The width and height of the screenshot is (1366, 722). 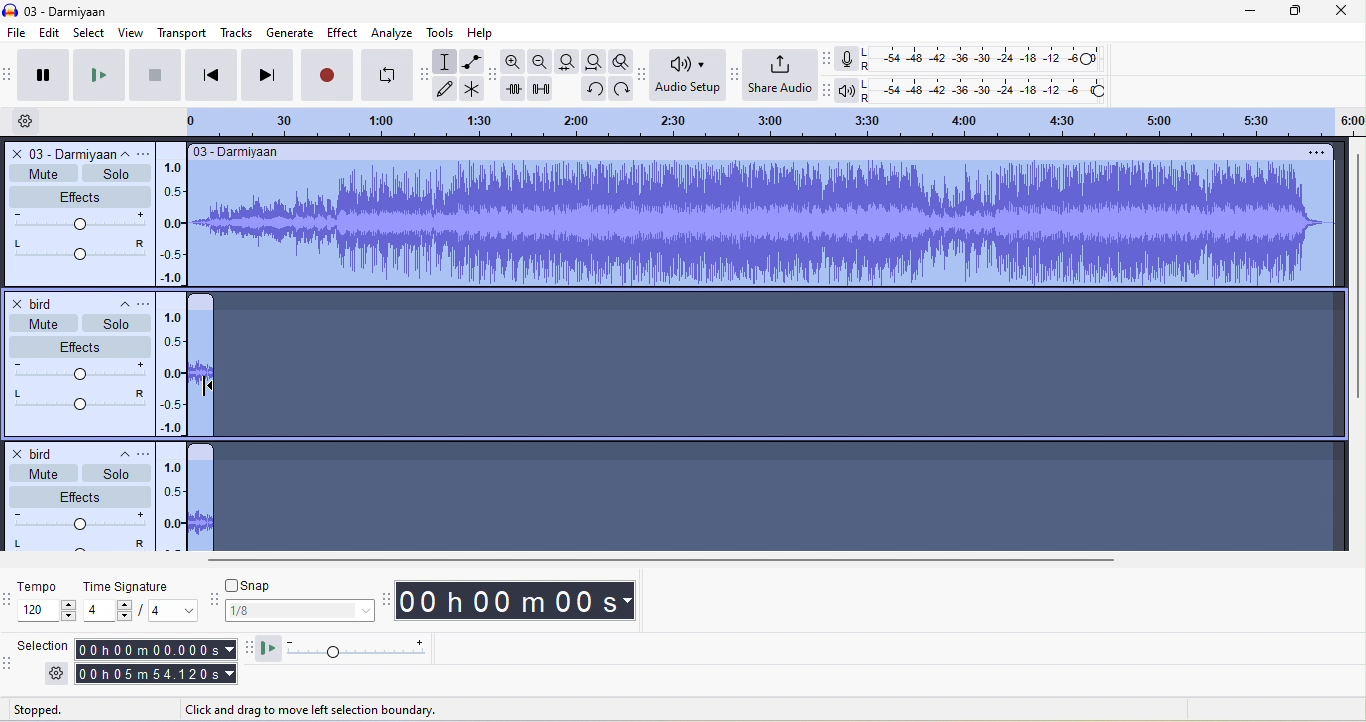 What do you see at coordinates (53, 34) in the screenshot?
I see `edit` at bounding box center [53, 34].